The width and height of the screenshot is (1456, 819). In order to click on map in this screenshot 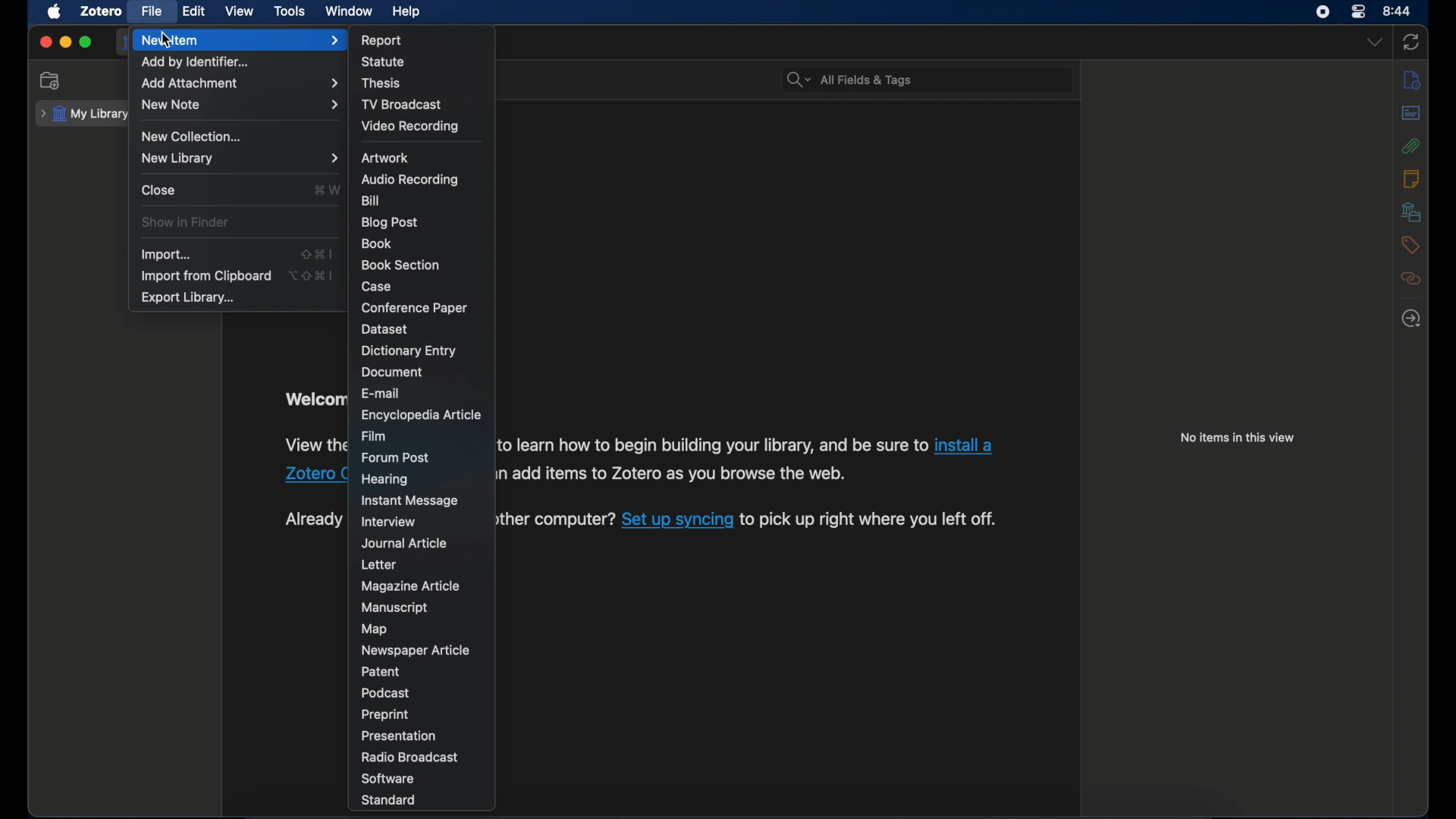, I will do `click(374, 629)`.